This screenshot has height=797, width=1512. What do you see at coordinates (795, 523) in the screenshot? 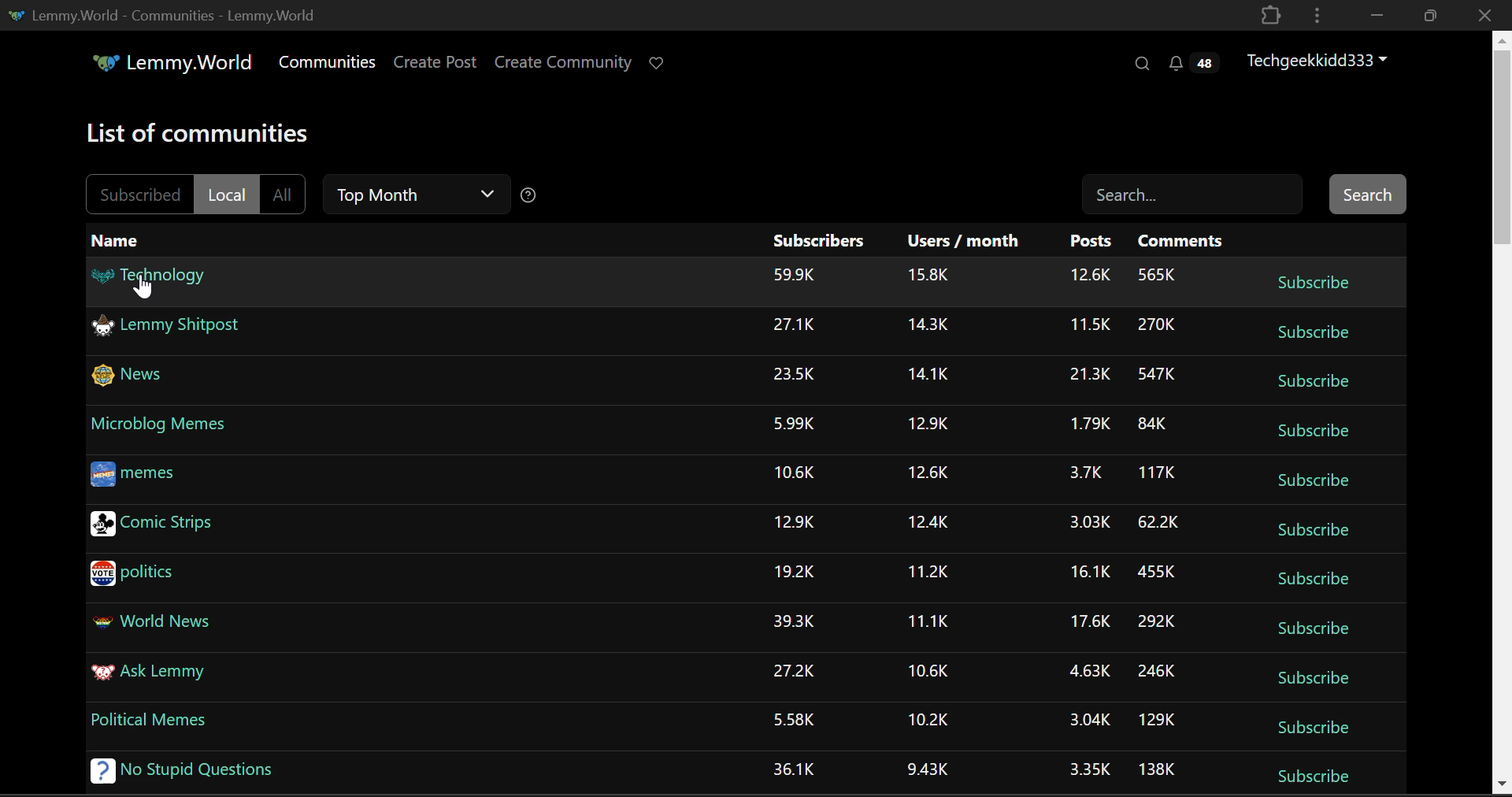
I see `Amount` at bounding box center [795, 523].